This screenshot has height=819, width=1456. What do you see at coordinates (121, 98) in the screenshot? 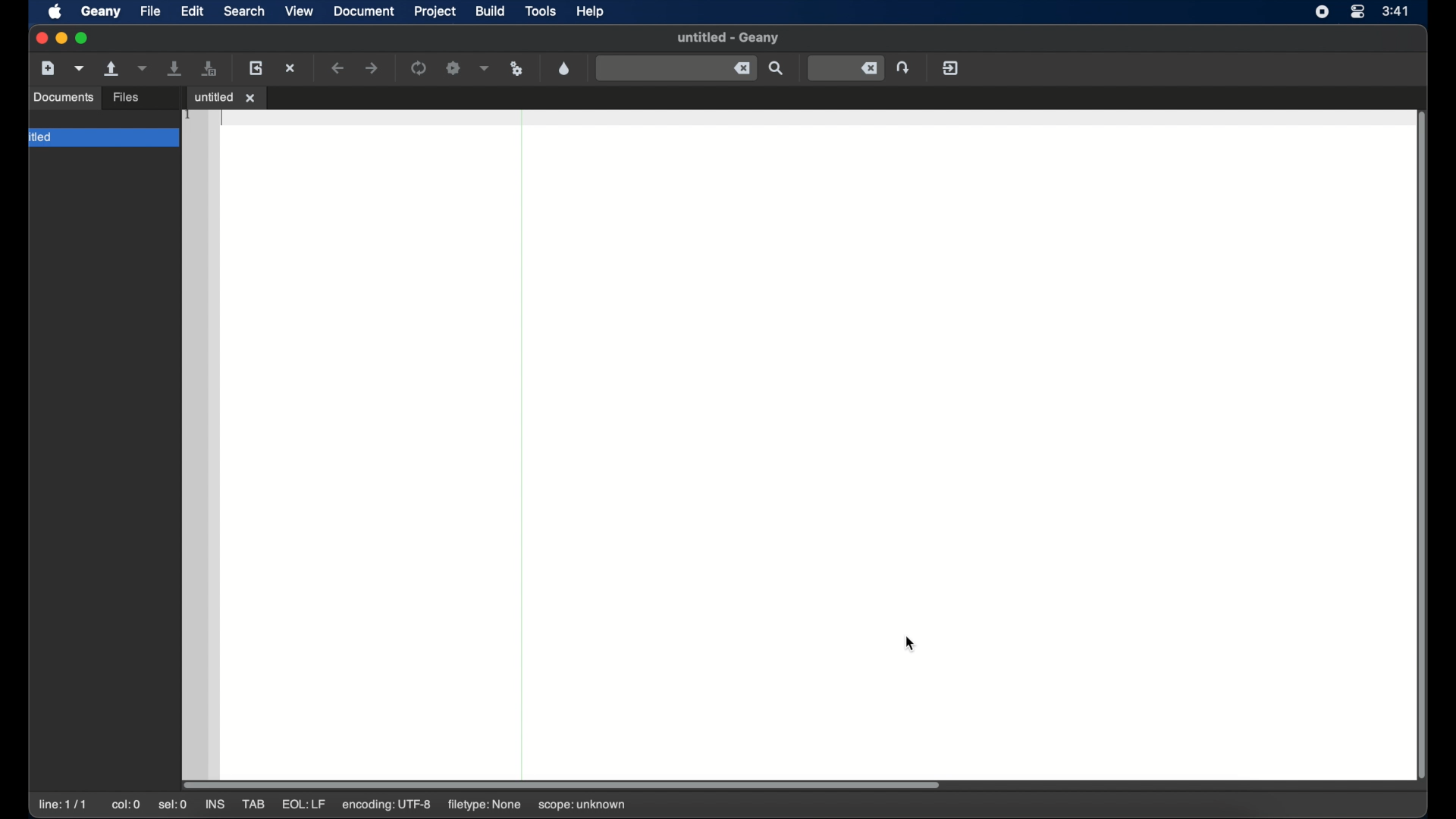
I see `documents` at bounding box center [121, 98].